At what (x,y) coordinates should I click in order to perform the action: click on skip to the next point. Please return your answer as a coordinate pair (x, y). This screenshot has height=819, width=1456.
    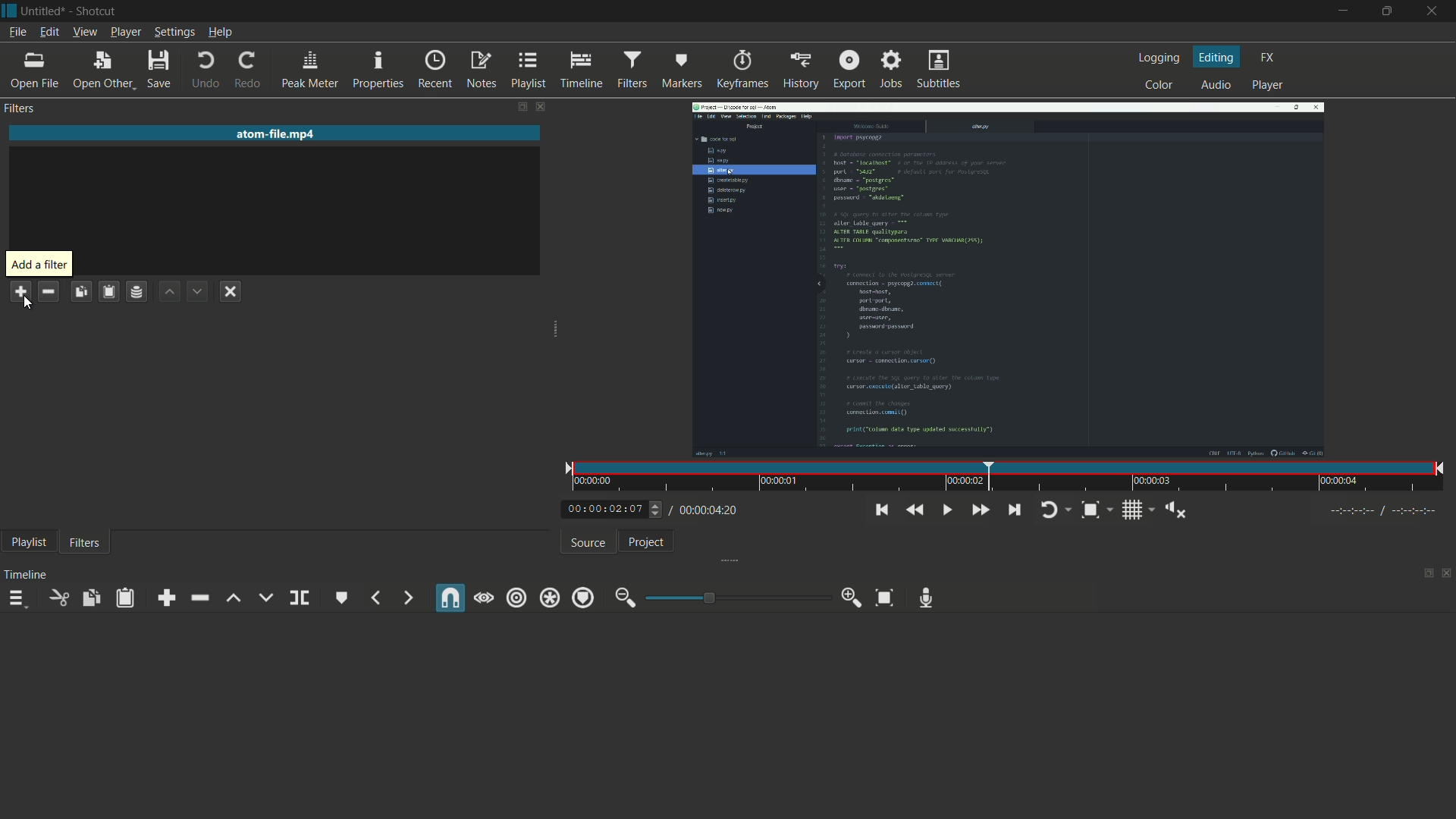
    Looking at the image, I should click on (1014, 510).